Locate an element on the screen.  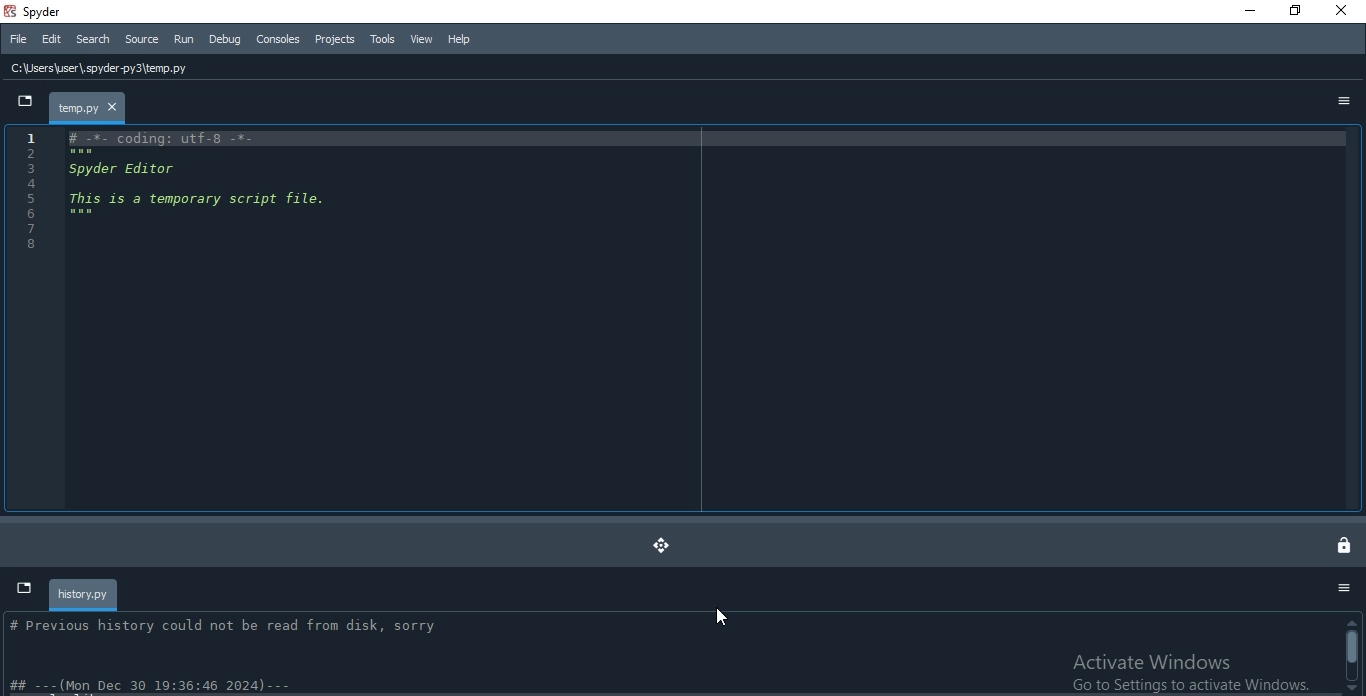
Restore is located at coordinates (1295, 10).